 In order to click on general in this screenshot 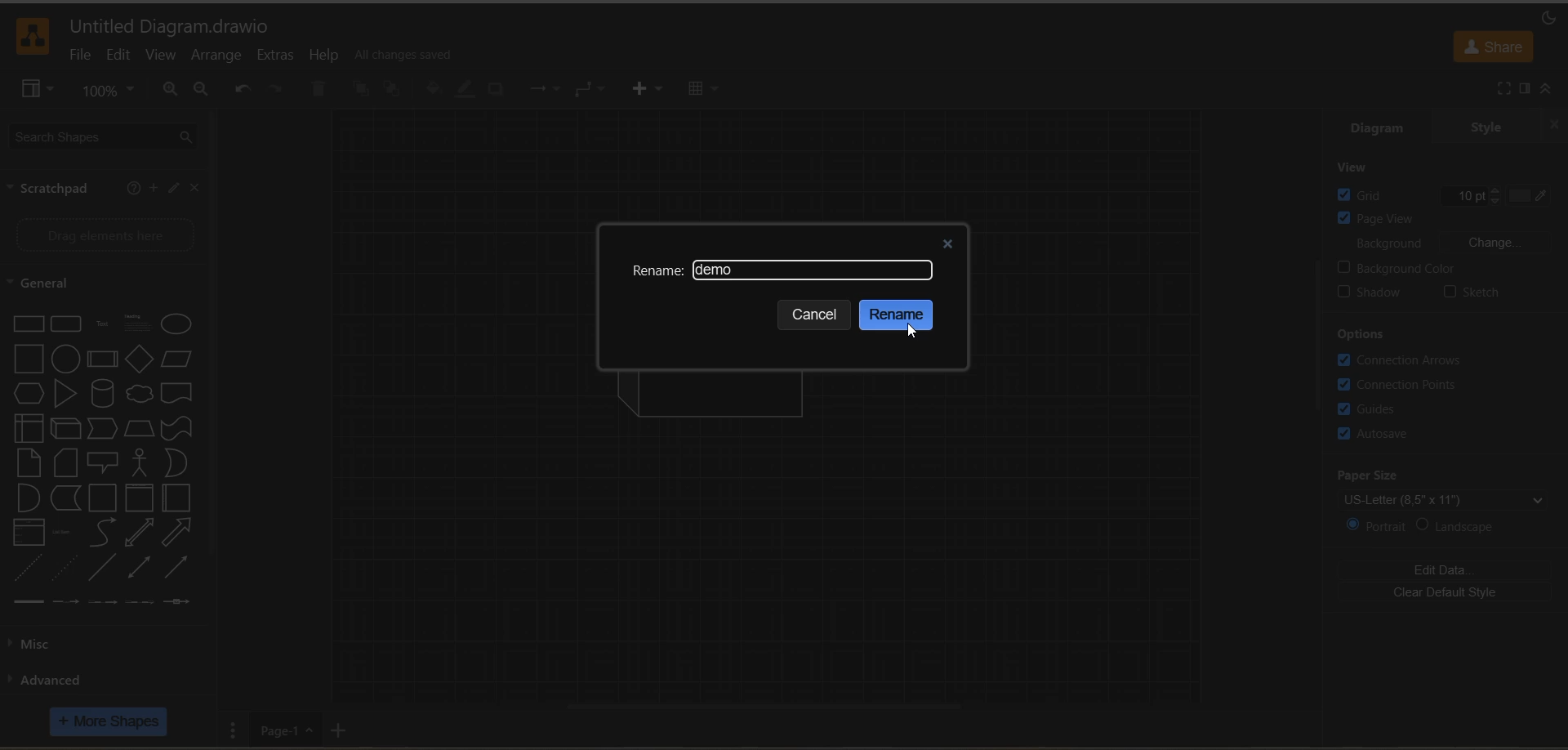, I will do `click(55, 283)`.